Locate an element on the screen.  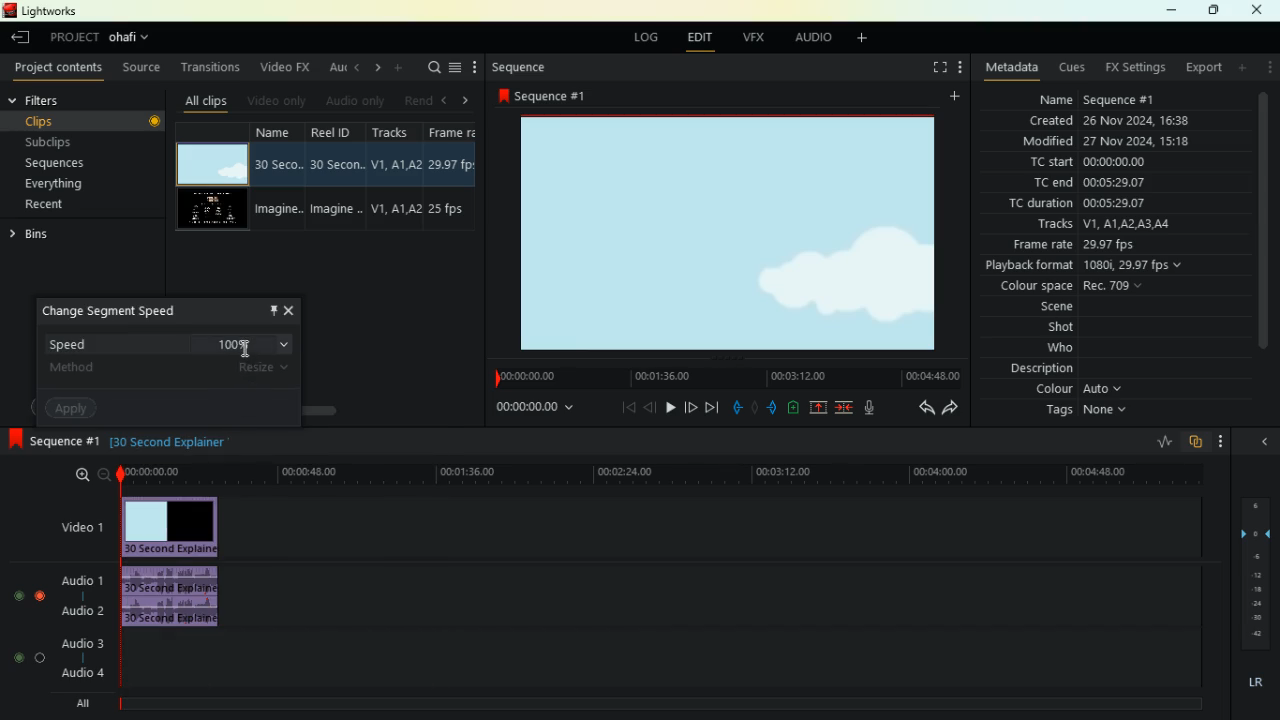
shot is located at coordinates (1062, 329).